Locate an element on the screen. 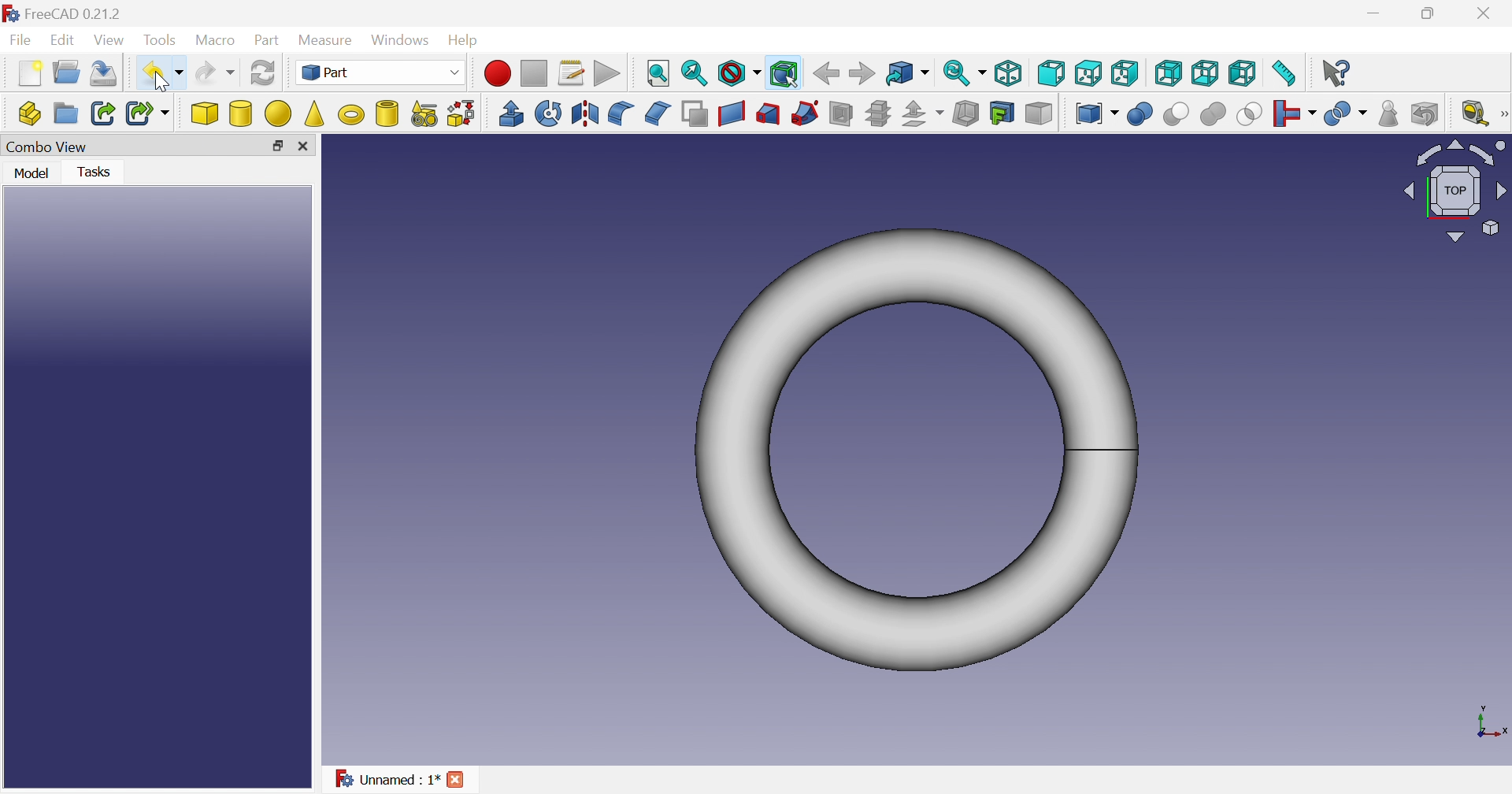 The image size is (1512, 794). Make link is located at coordinates (103, 112).